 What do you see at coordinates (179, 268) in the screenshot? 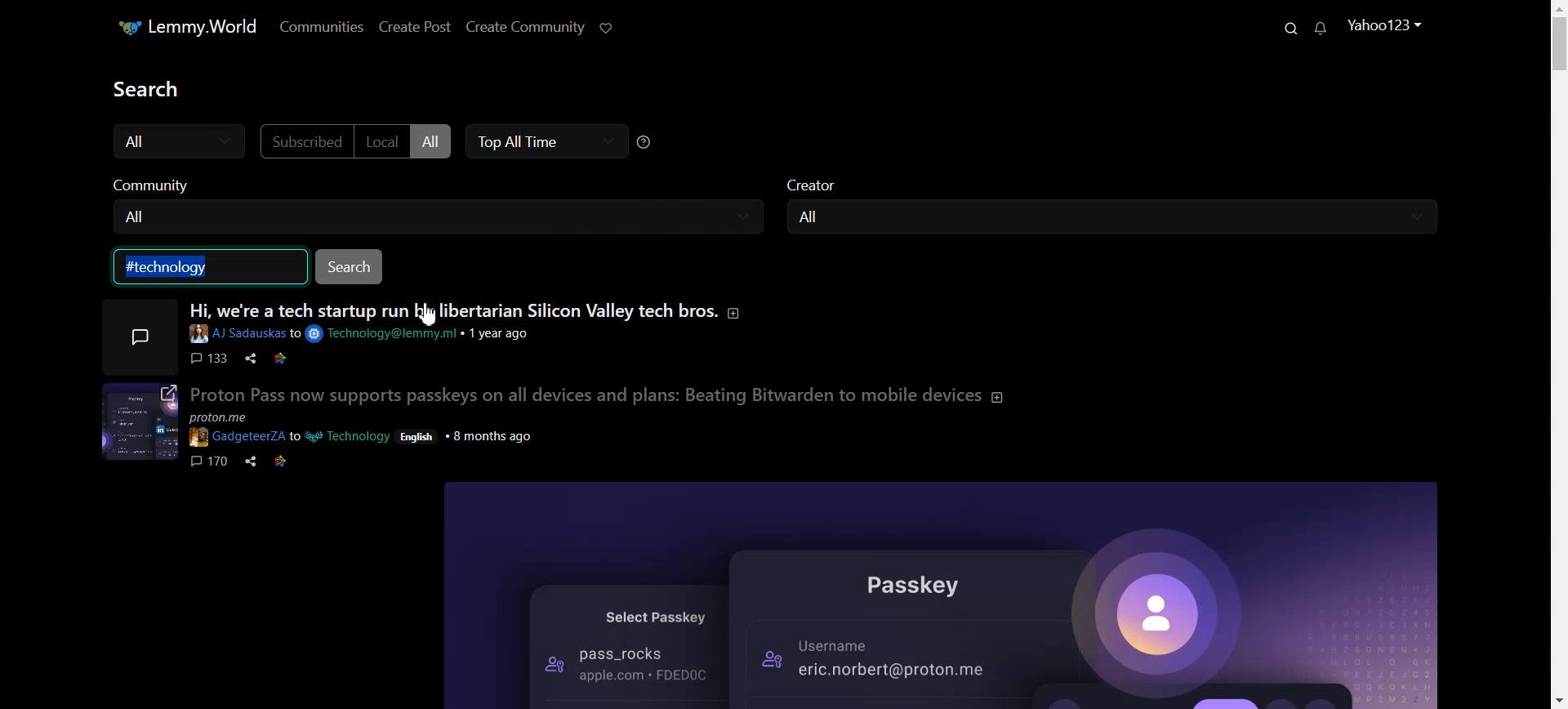
I see `#technology` at bounding box center [179, 268].